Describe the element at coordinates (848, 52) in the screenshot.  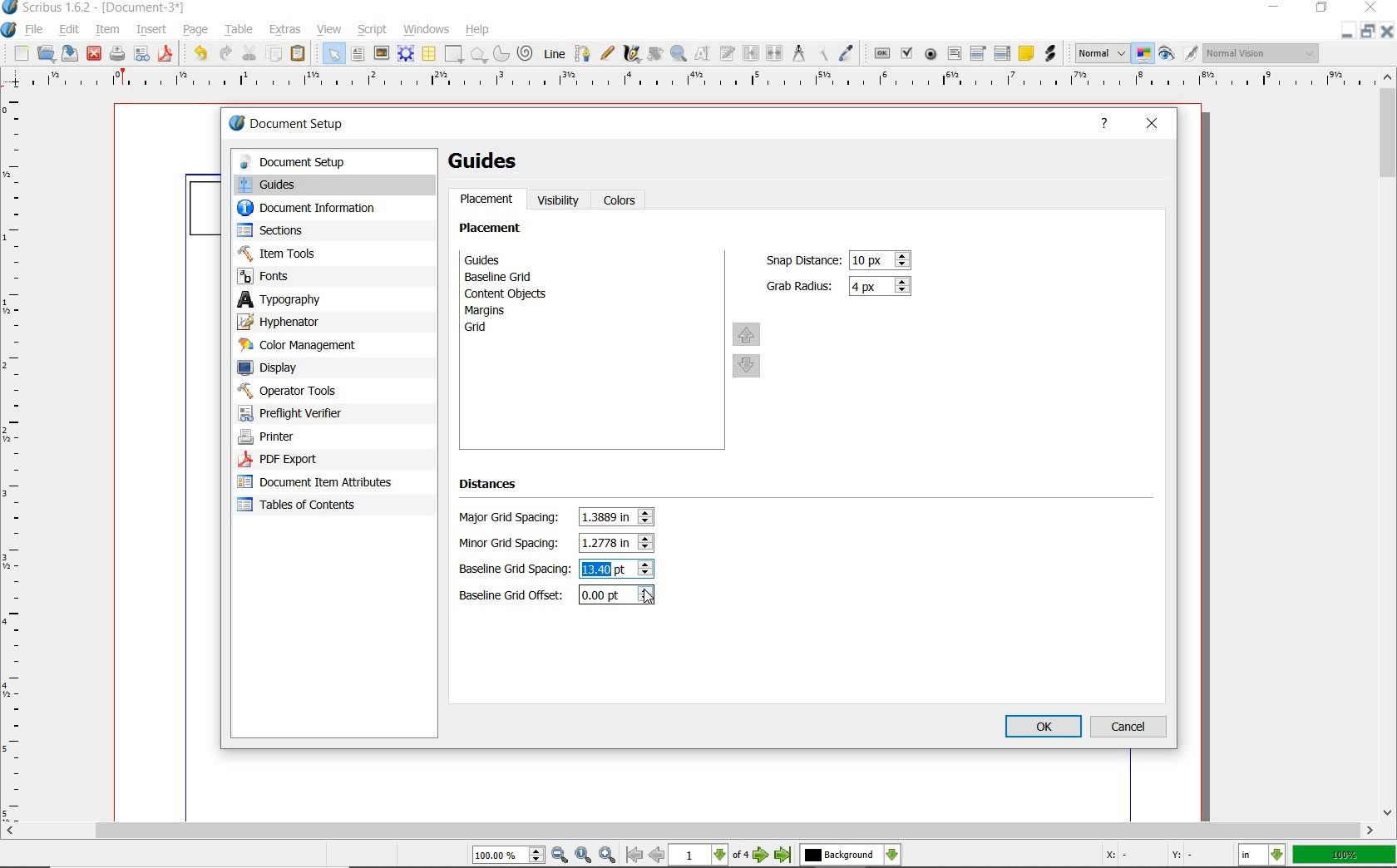
I see `eye dropper` at that location.